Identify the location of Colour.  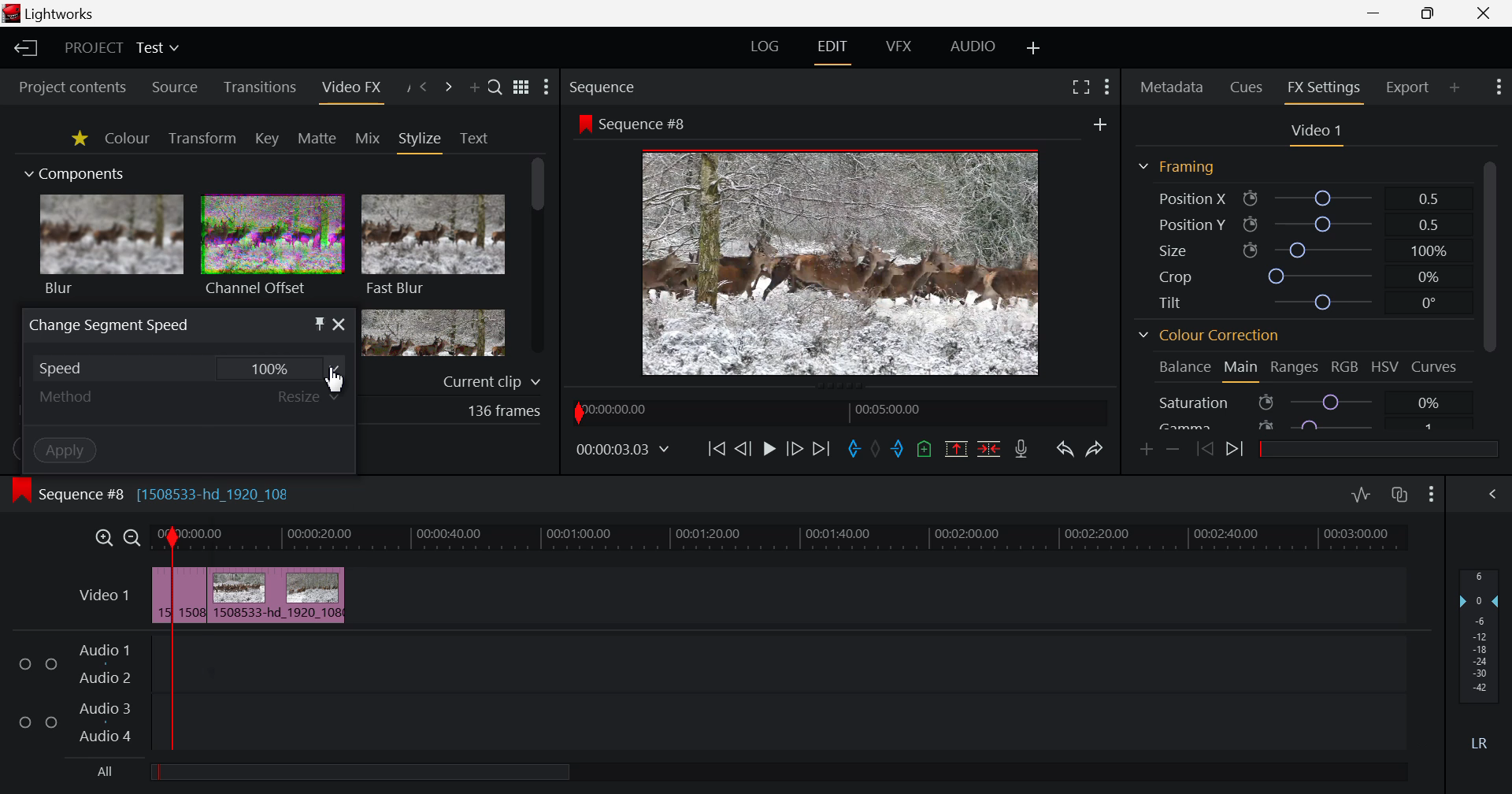
(128, 138).